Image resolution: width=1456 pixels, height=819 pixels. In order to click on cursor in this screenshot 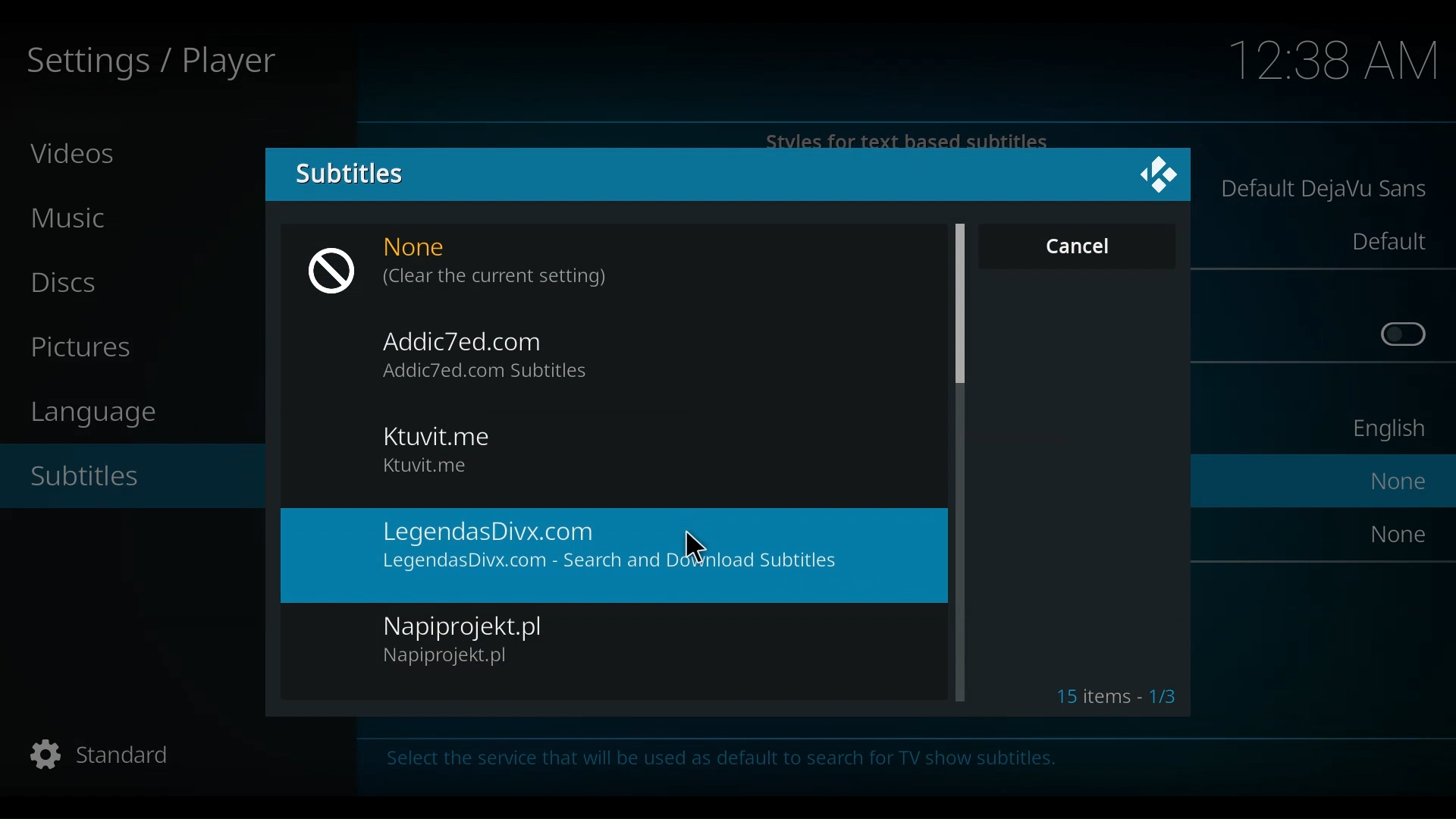, I will do `click(698, 548)`.